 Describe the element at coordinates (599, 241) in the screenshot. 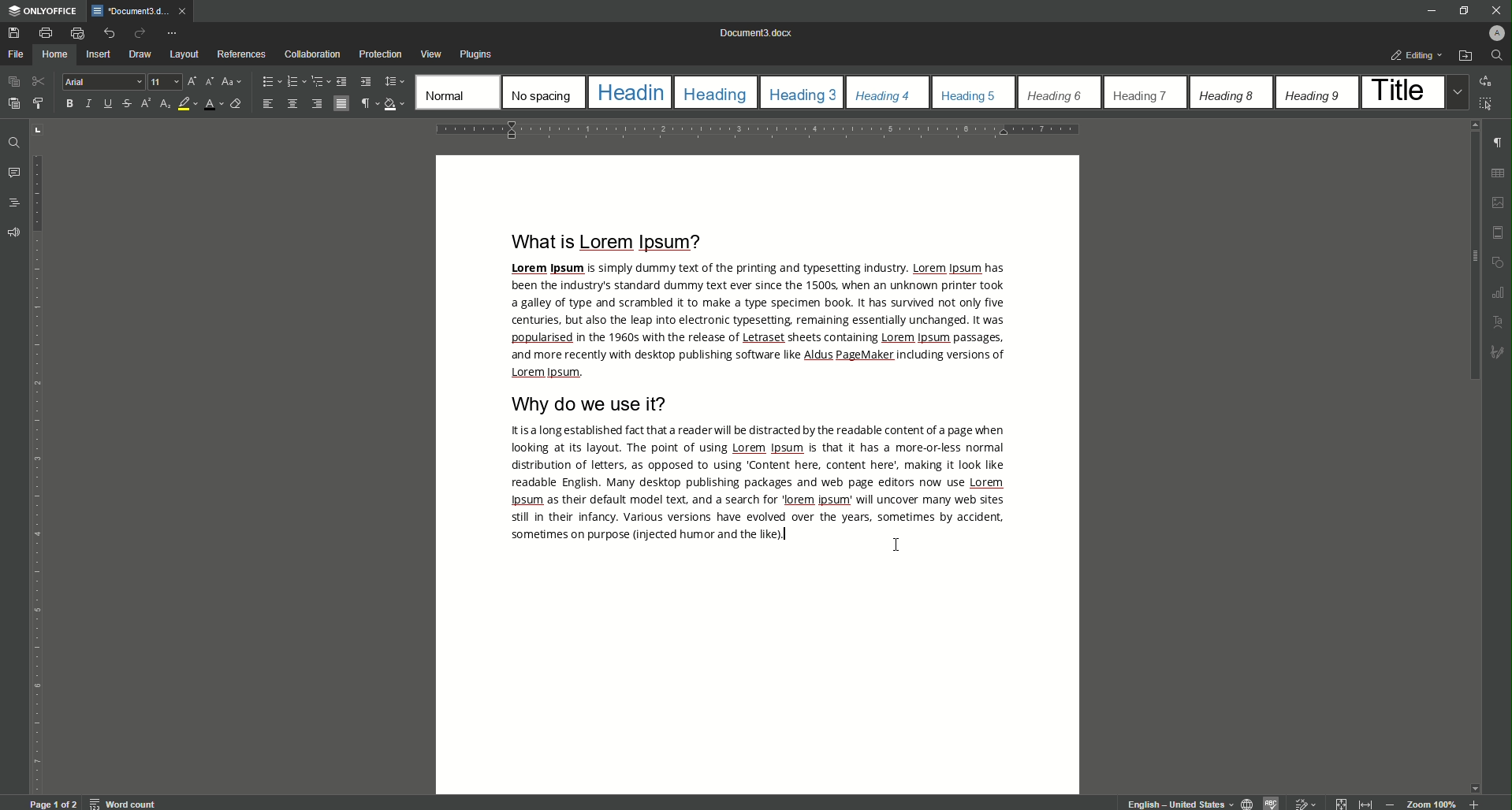

I see `What is Lorem Ipsum?` at that location.